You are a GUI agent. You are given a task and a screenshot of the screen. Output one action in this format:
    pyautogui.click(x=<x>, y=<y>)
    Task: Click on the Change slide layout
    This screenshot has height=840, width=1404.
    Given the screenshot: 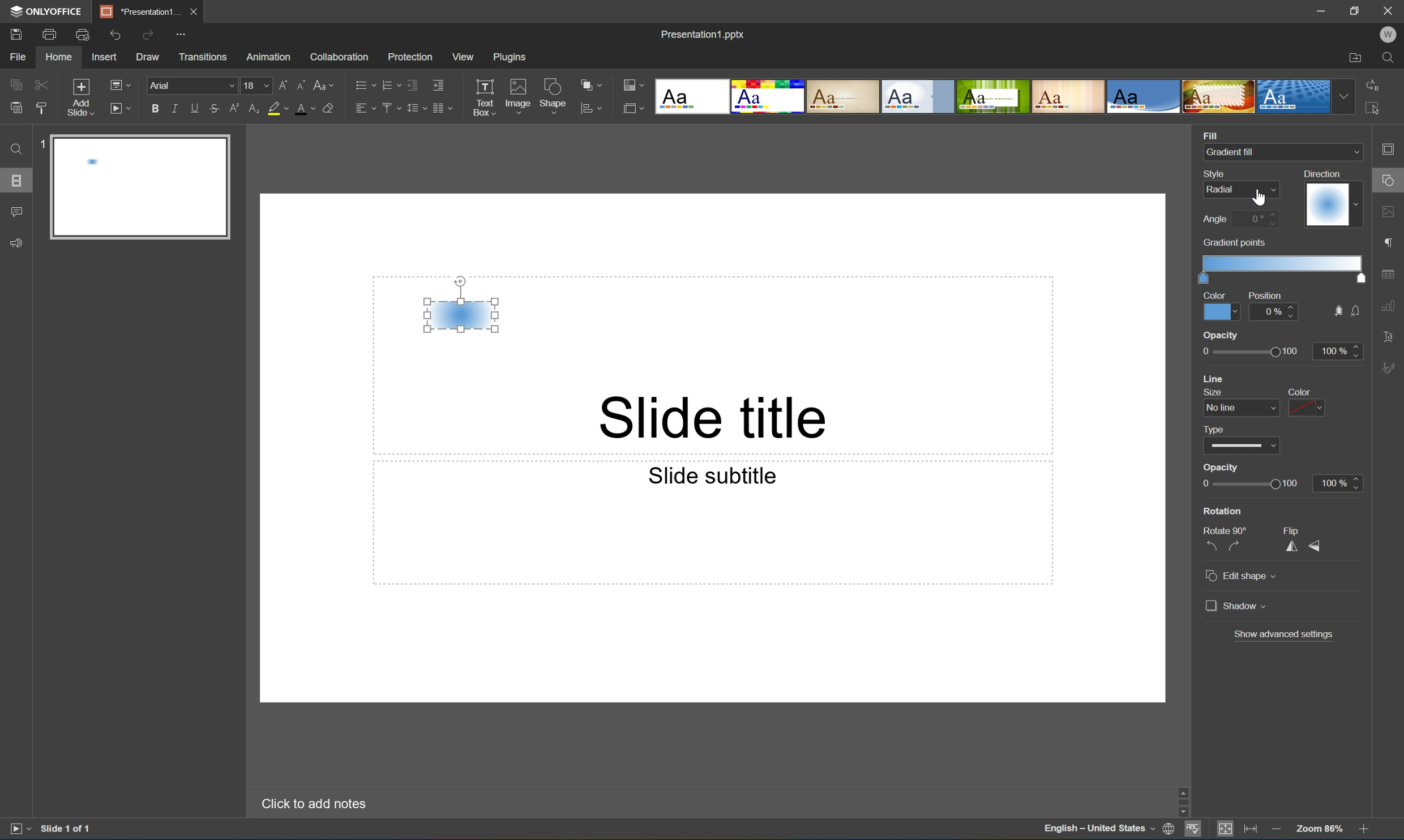 What is the action you would take?
    pyautogui.click(x=118, y=83)
    